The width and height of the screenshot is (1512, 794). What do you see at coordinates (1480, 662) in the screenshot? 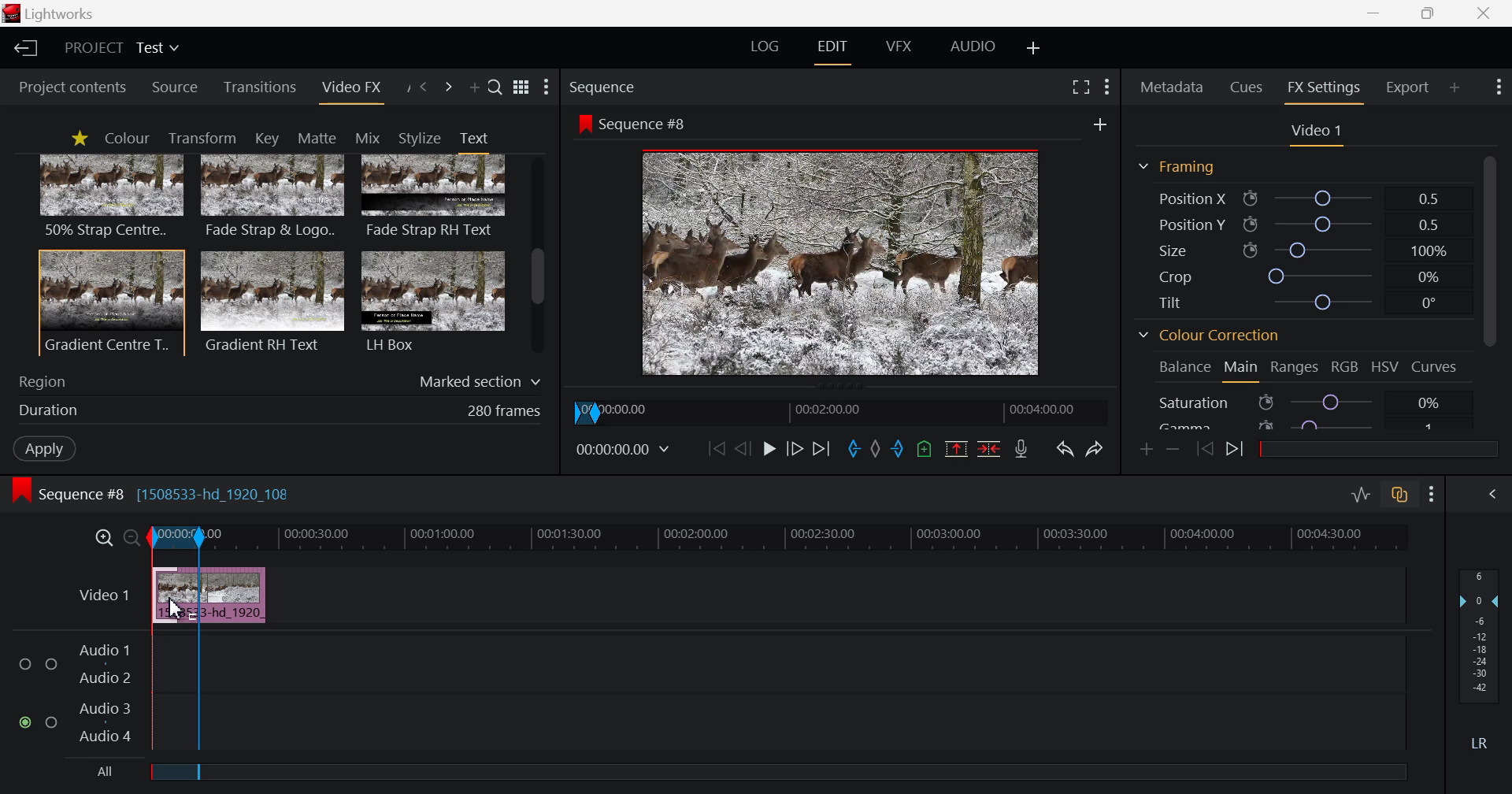
I see `Decibel Level` at bounding box center [1480, 662].